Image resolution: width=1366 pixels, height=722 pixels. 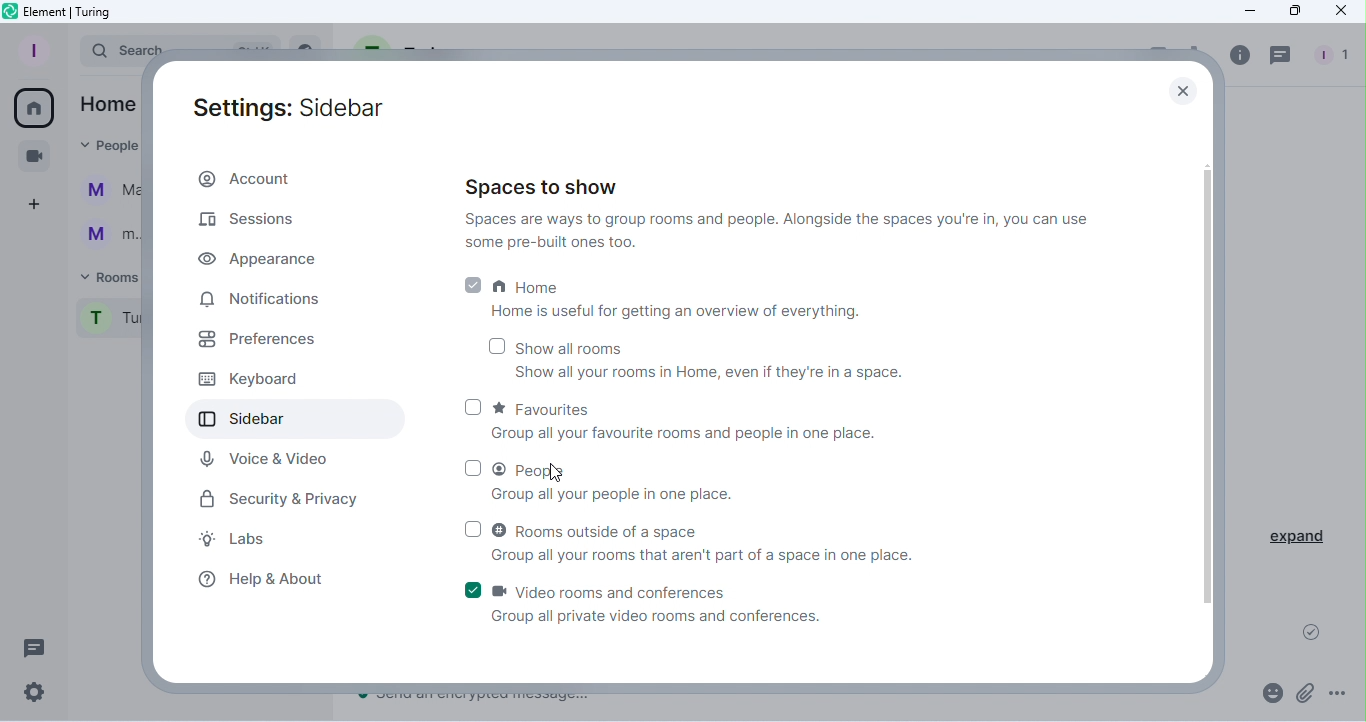 I want to click on Appearance, so click(x=255, y=259).